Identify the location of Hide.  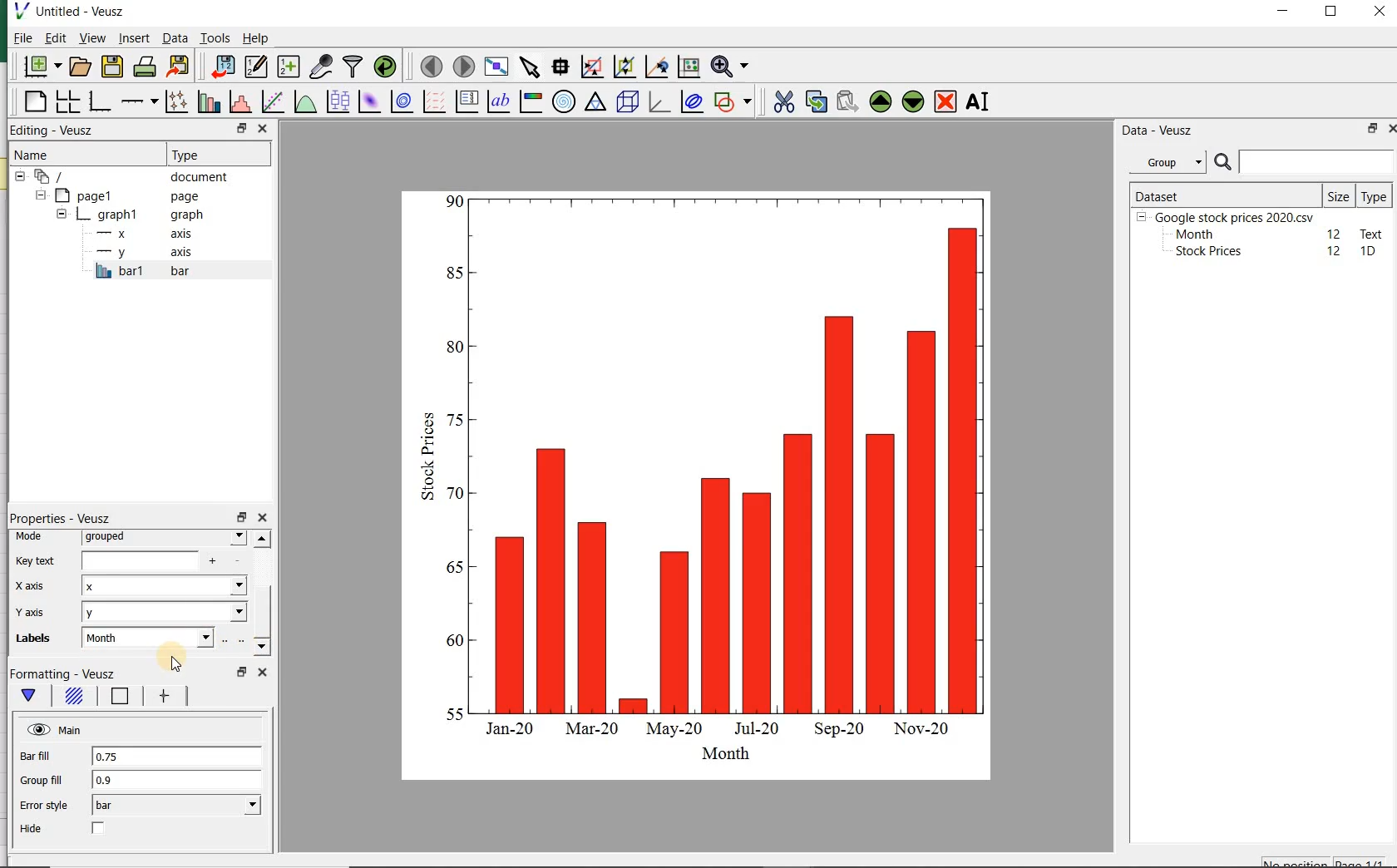
(31, 828).